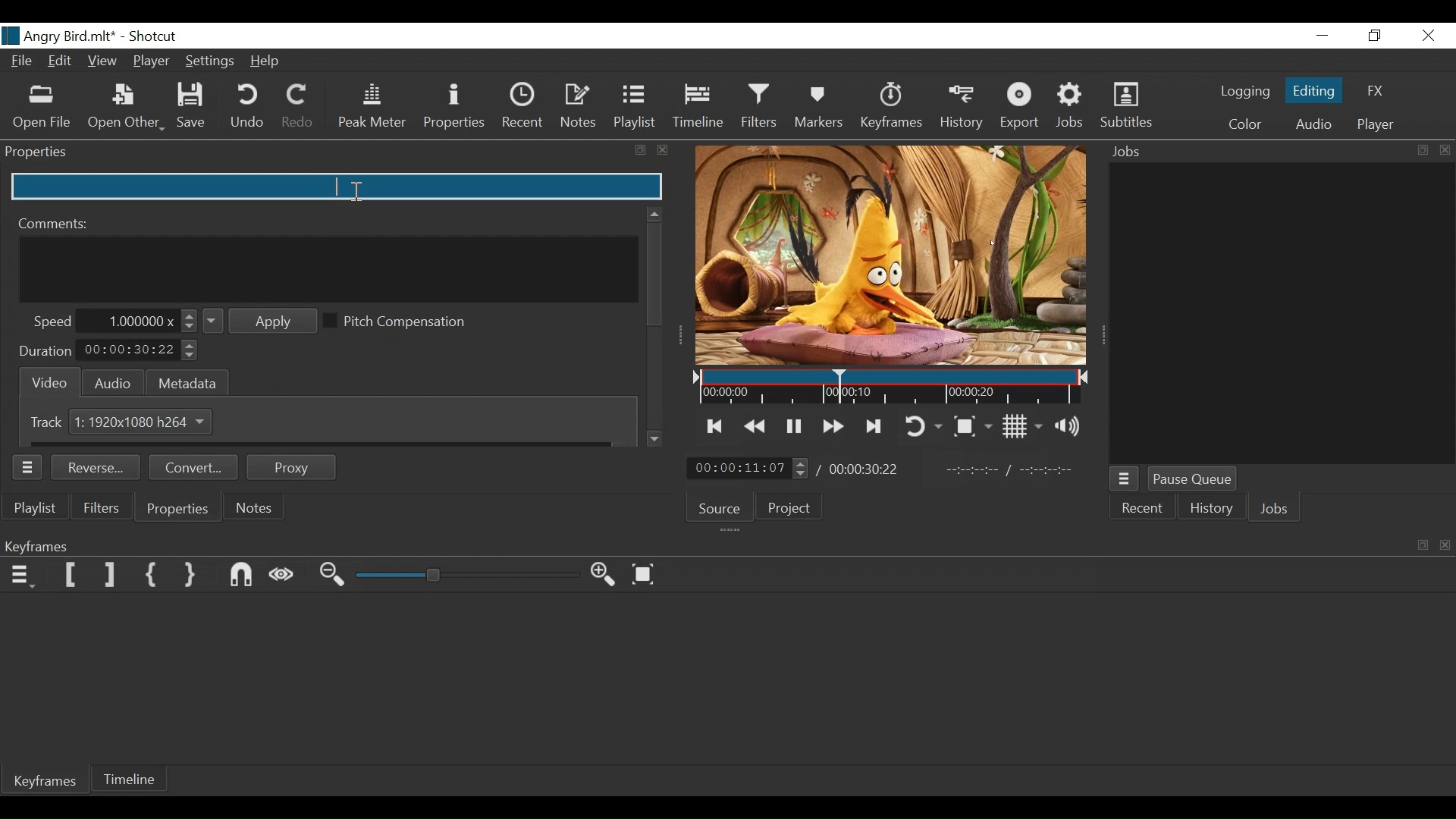 The width and height of the screenshot is (1456, 819). Describe the element at coordinates (256, 507) in the screenshot. I see `Notes` at that location.